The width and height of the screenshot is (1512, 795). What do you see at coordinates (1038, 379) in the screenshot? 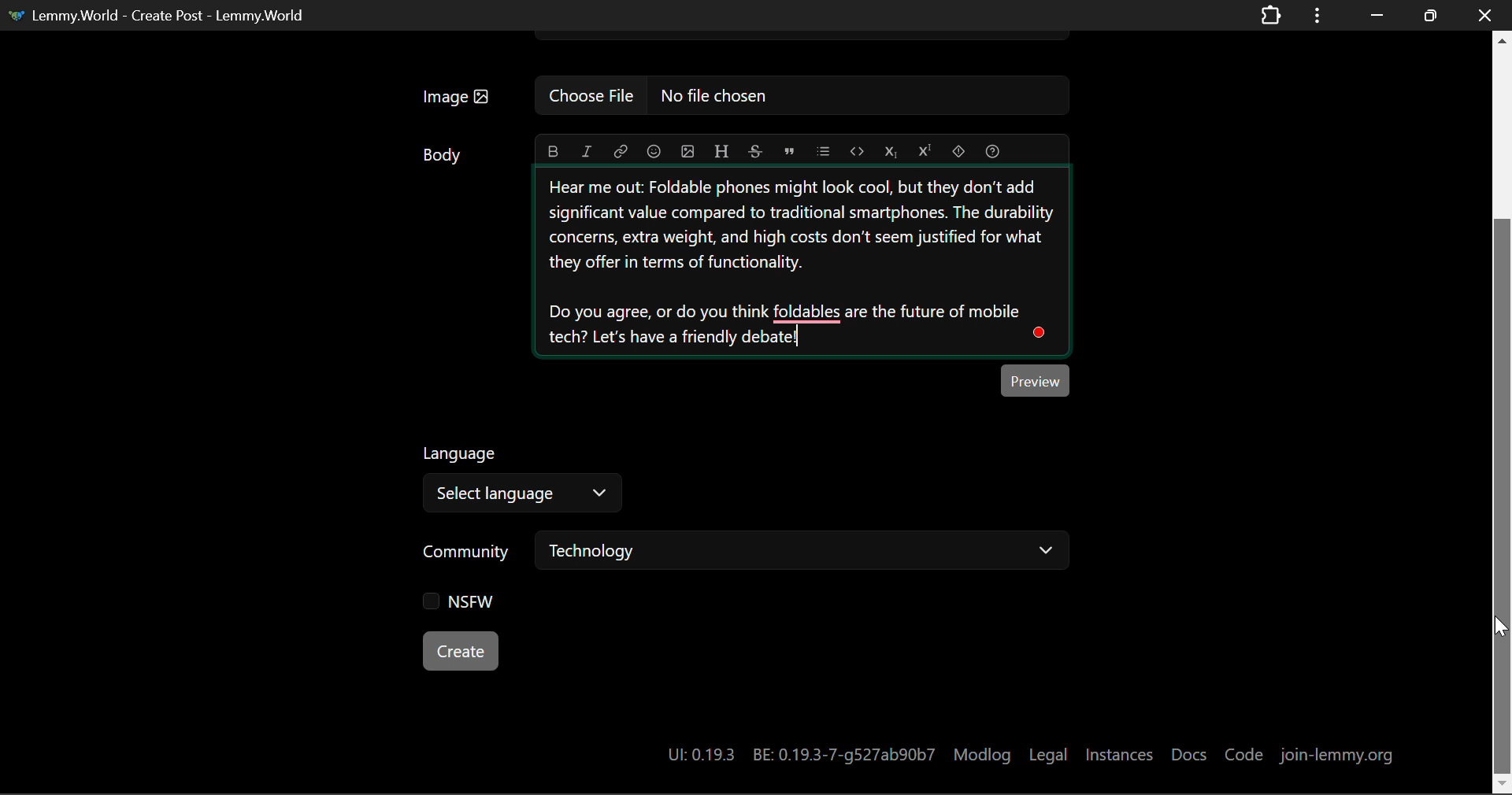
I see `Preview Post Button` at bounding box center [1038, 379].